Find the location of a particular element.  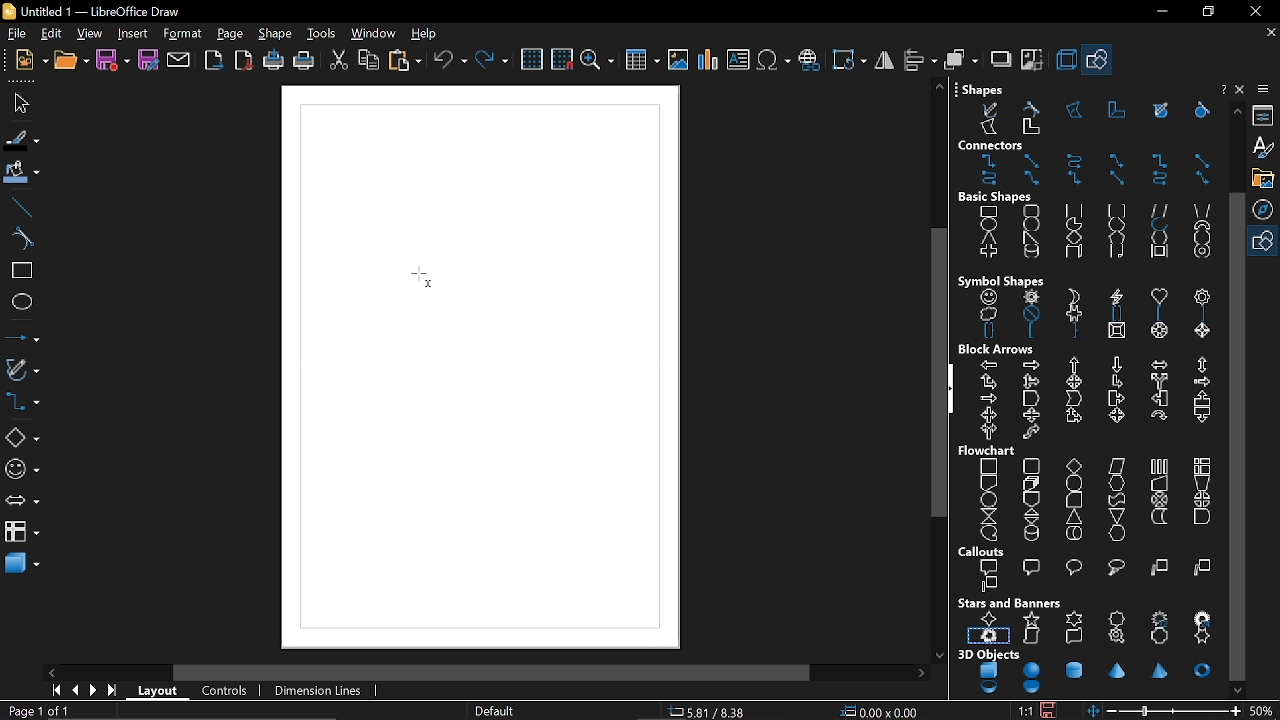

paste is located at coordinates (404, 60).